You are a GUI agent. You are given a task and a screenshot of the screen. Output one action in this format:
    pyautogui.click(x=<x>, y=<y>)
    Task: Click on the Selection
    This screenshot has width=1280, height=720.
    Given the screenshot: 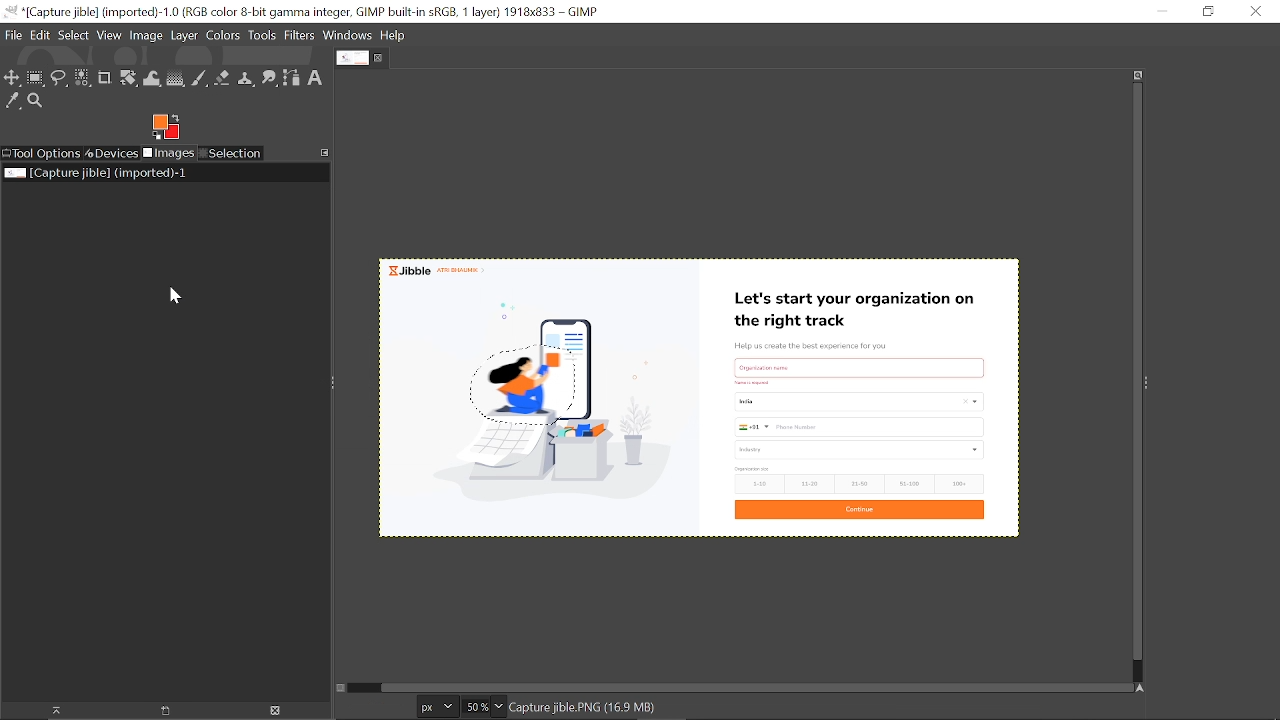 What is the action you would take?
    pyautogui.click(x=230, y=154)
    